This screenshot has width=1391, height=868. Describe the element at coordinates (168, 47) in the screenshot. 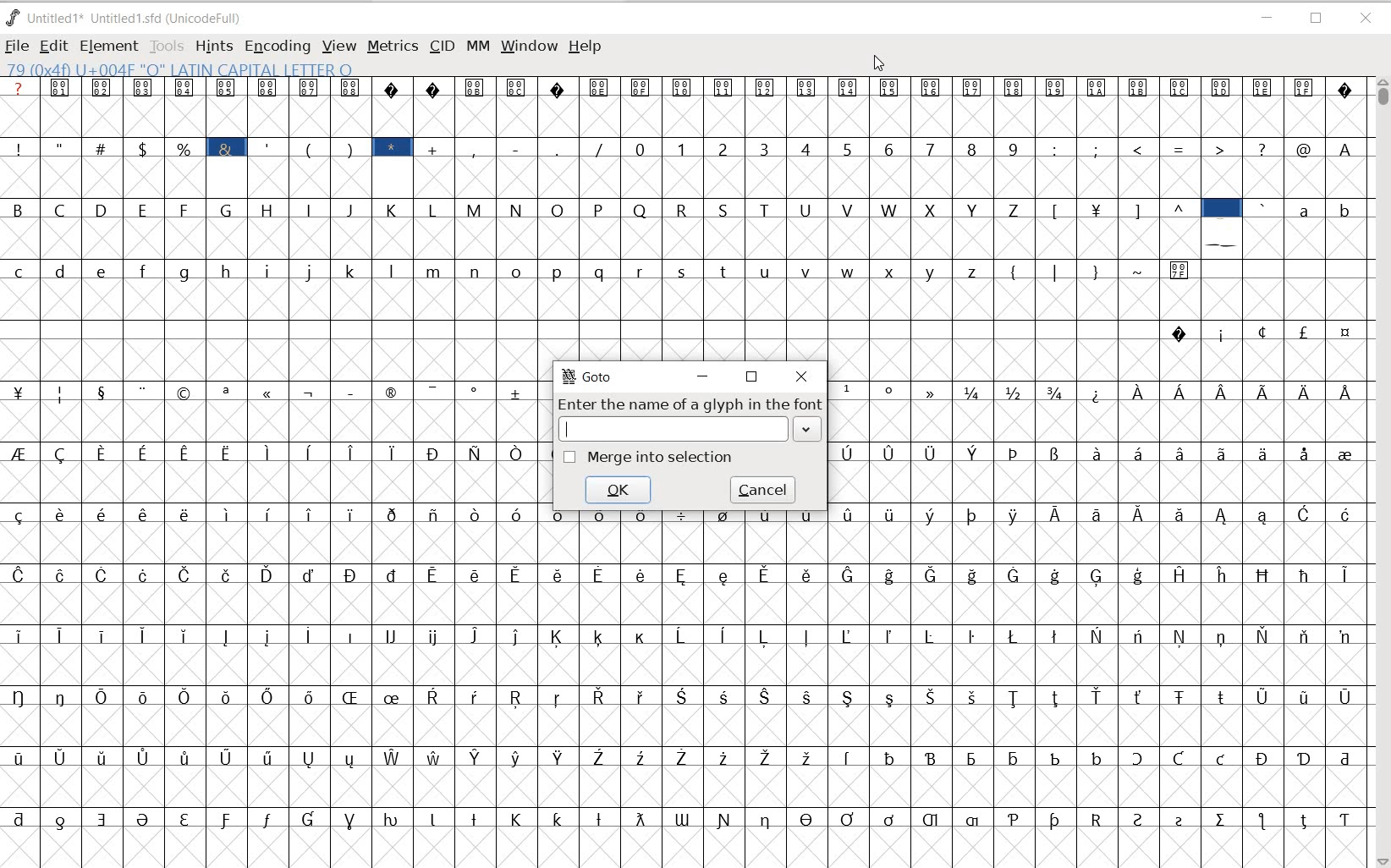

I see `TOOLS` at that location.